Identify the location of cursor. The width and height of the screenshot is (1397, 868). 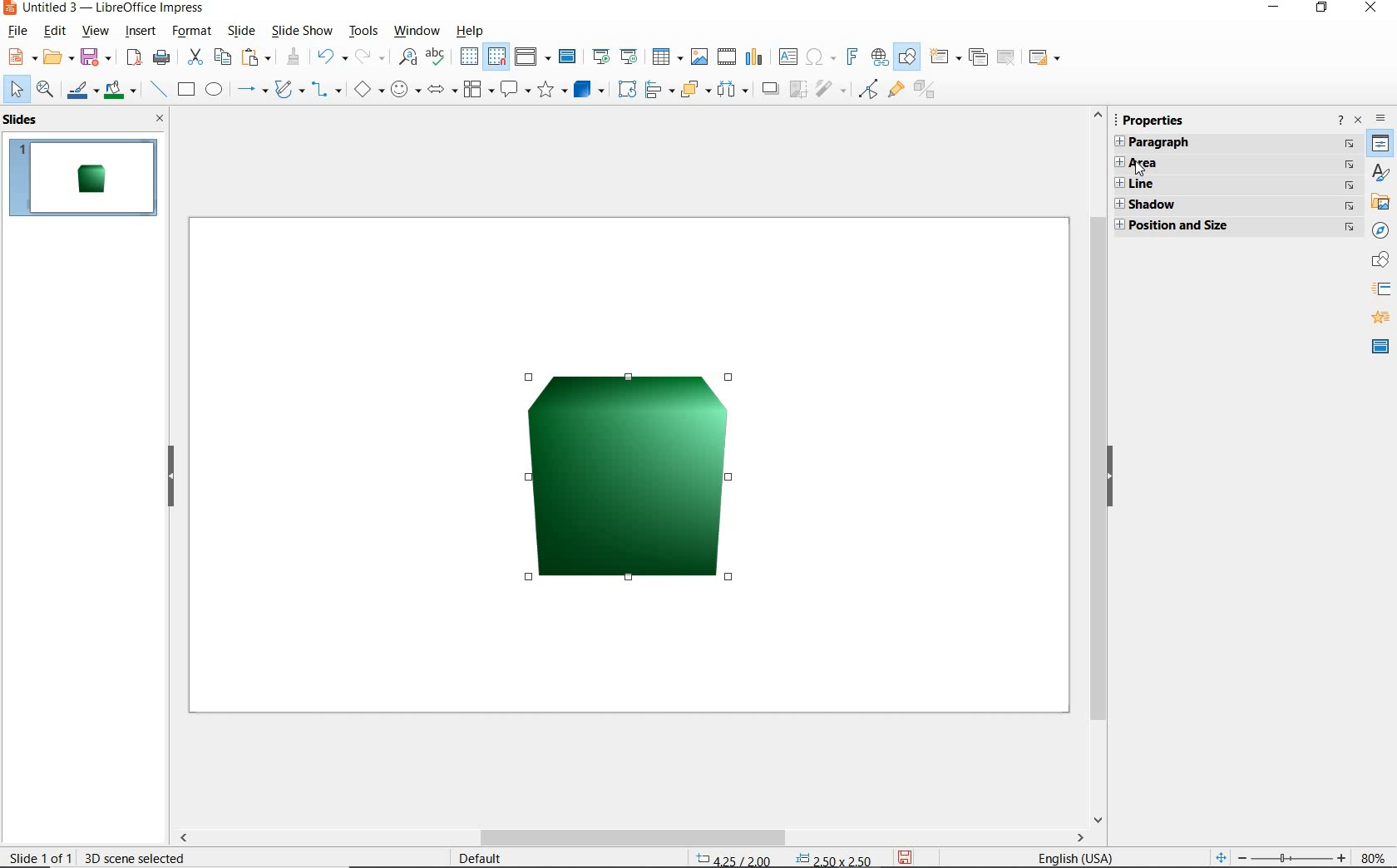
(1139, 170).